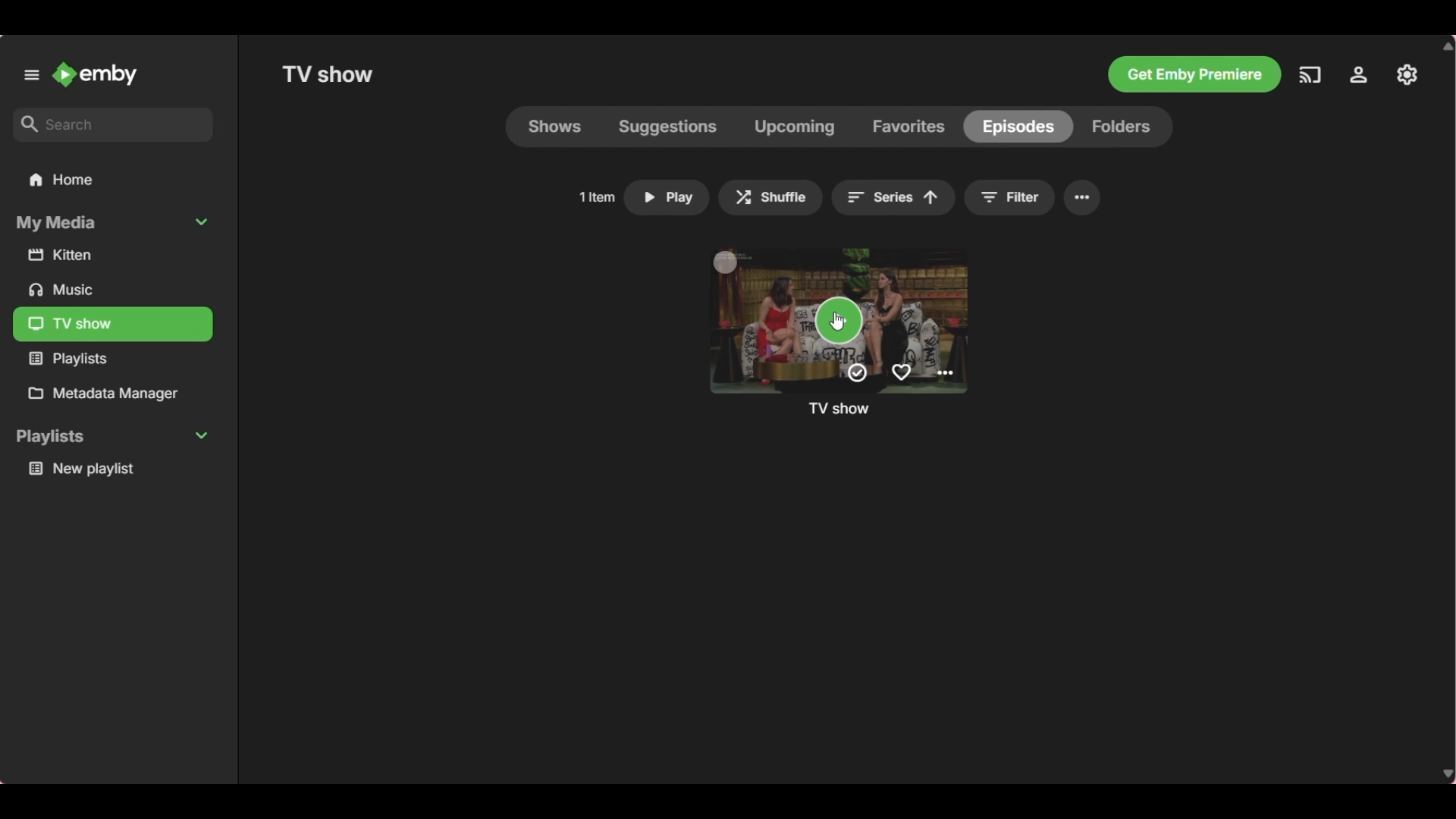 This screenshot has height=819, width=1456. I want to click on Folders, so click(1128, 127).